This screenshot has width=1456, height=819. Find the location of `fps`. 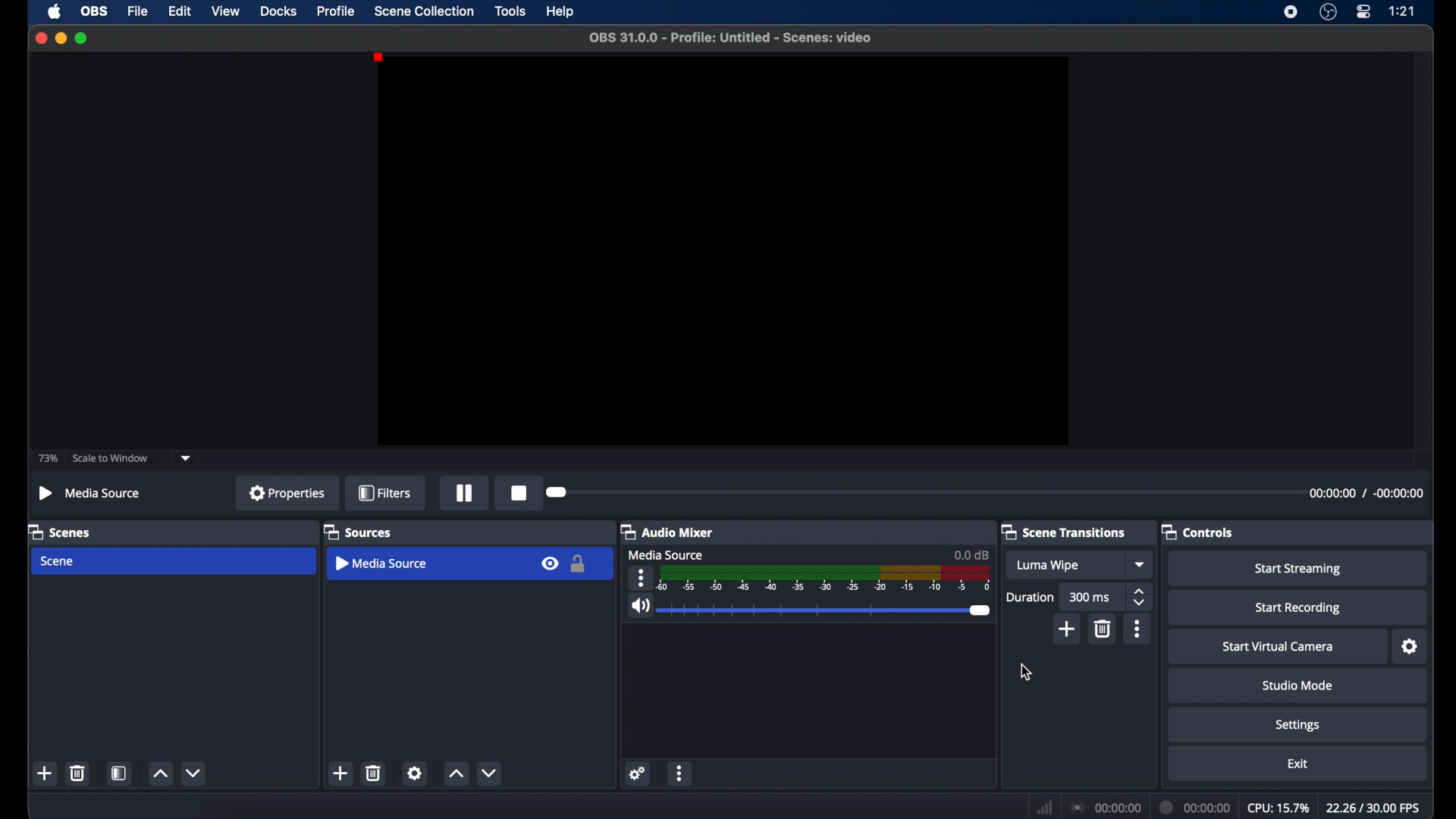

fps is located at coordinates (1373, 808).